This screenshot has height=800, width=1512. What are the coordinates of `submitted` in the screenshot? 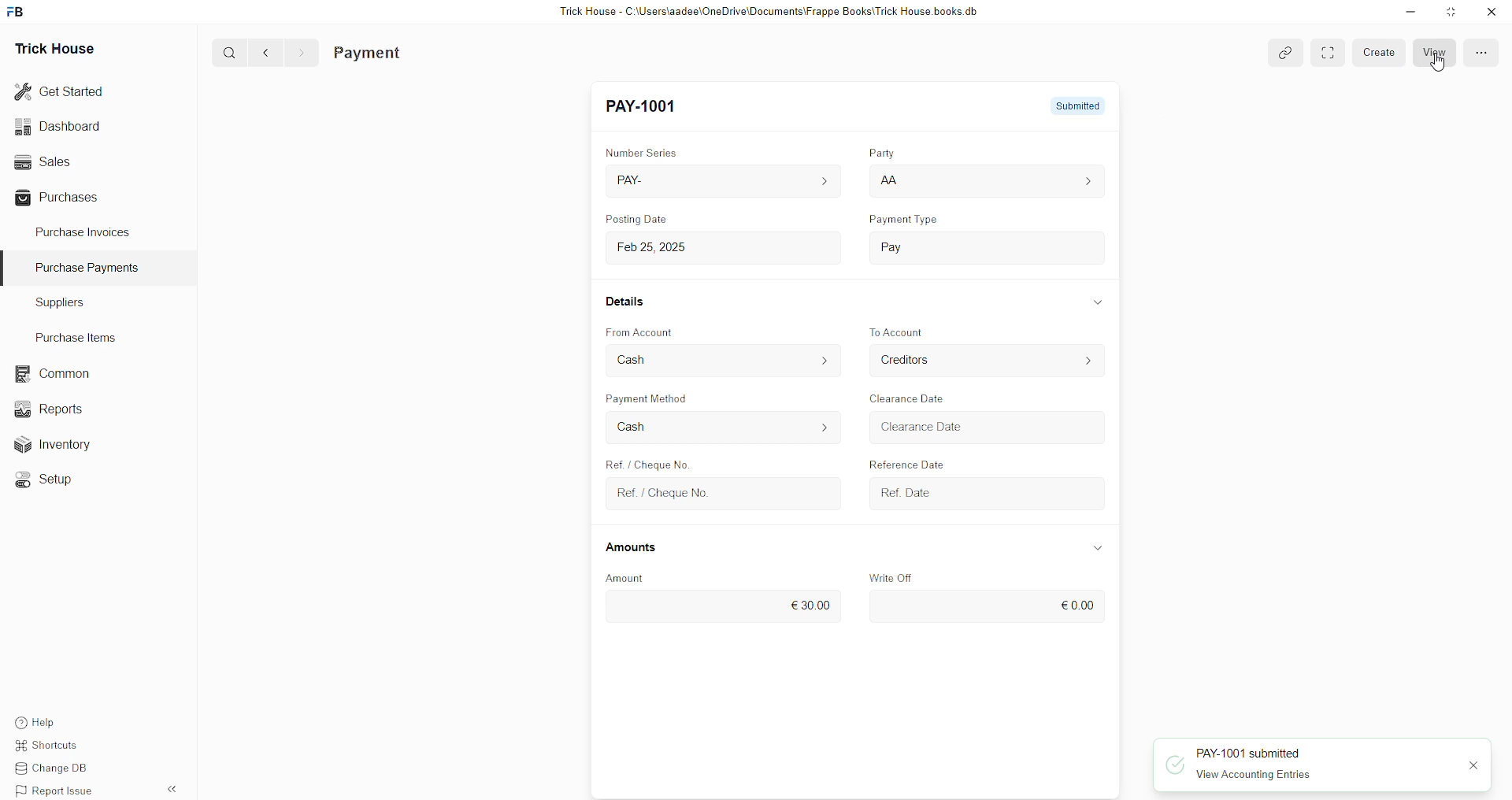 It's located at (1070, 104).